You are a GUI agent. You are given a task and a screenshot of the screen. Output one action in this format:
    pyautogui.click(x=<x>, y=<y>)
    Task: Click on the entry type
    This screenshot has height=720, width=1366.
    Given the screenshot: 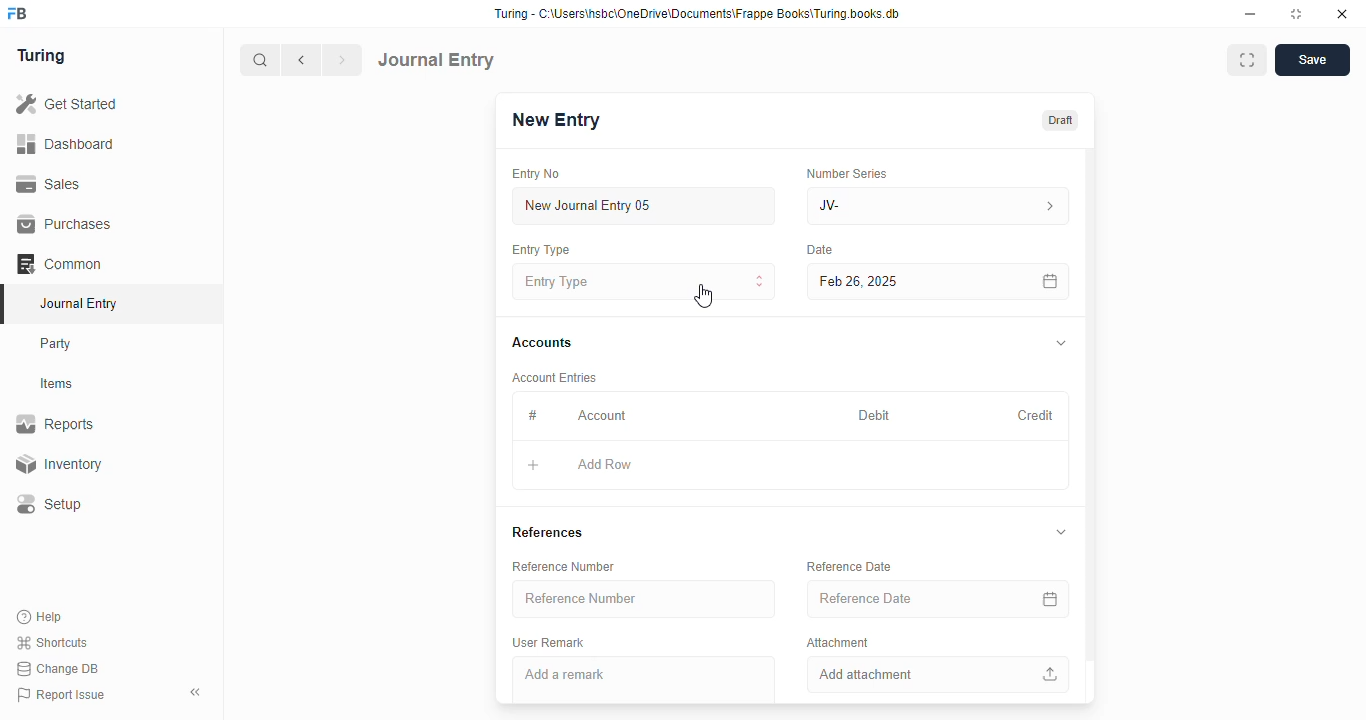 What is the action you would take?
    pyautogui.click(x=541, y=250)
    